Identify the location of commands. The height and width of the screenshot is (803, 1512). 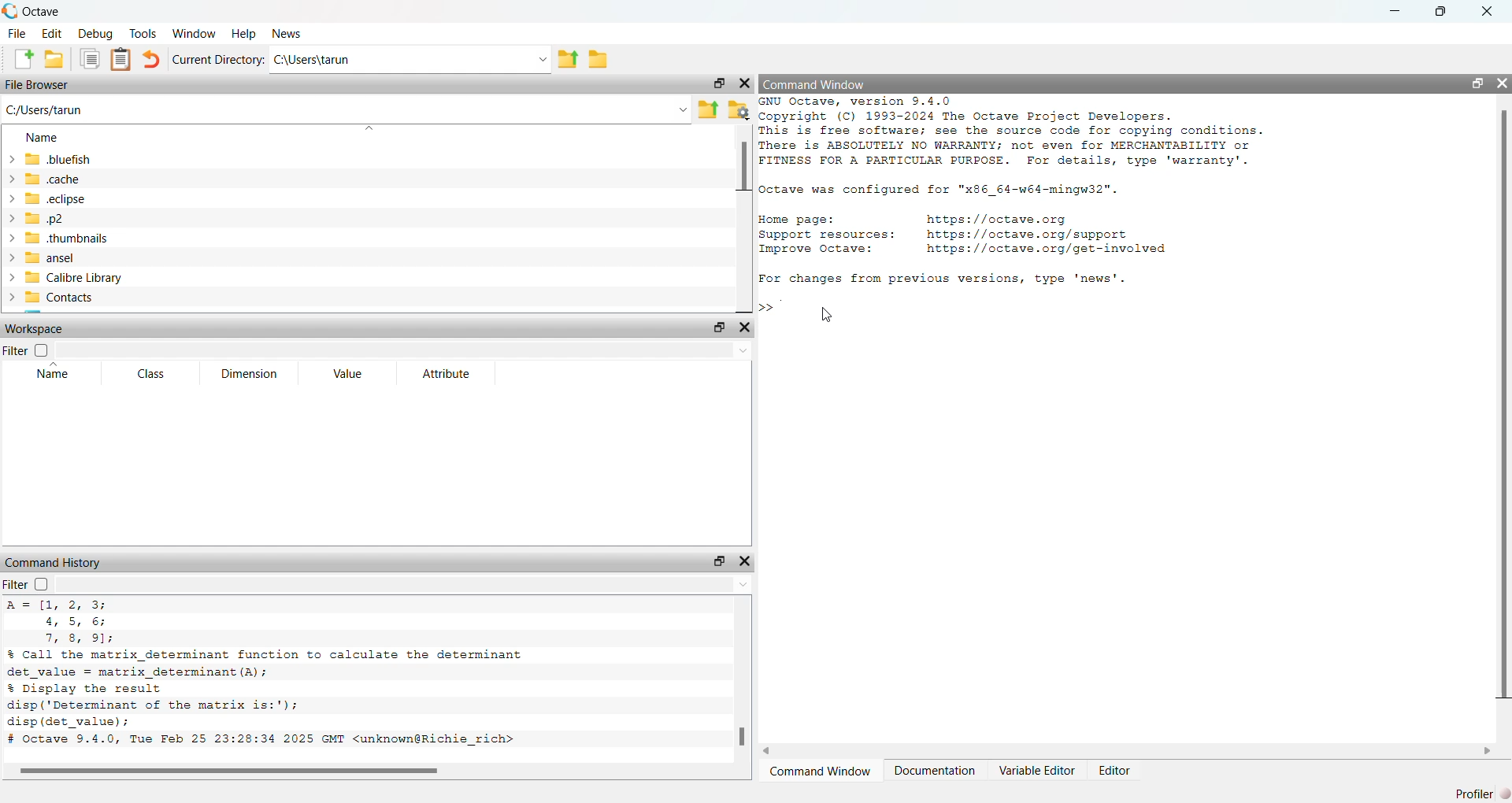
(1026, 230).